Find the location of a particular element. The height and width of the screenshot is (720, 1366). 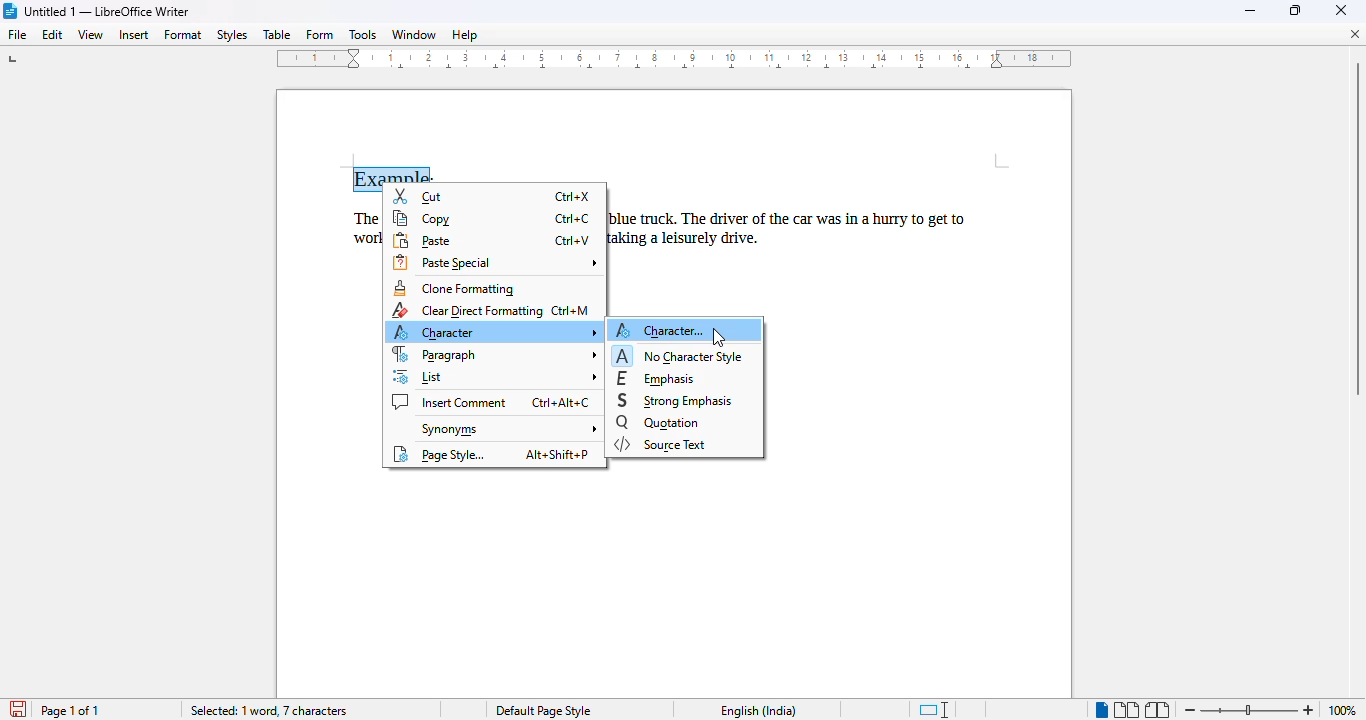

100% (zoom level) is located at coordinates (1344, 710).